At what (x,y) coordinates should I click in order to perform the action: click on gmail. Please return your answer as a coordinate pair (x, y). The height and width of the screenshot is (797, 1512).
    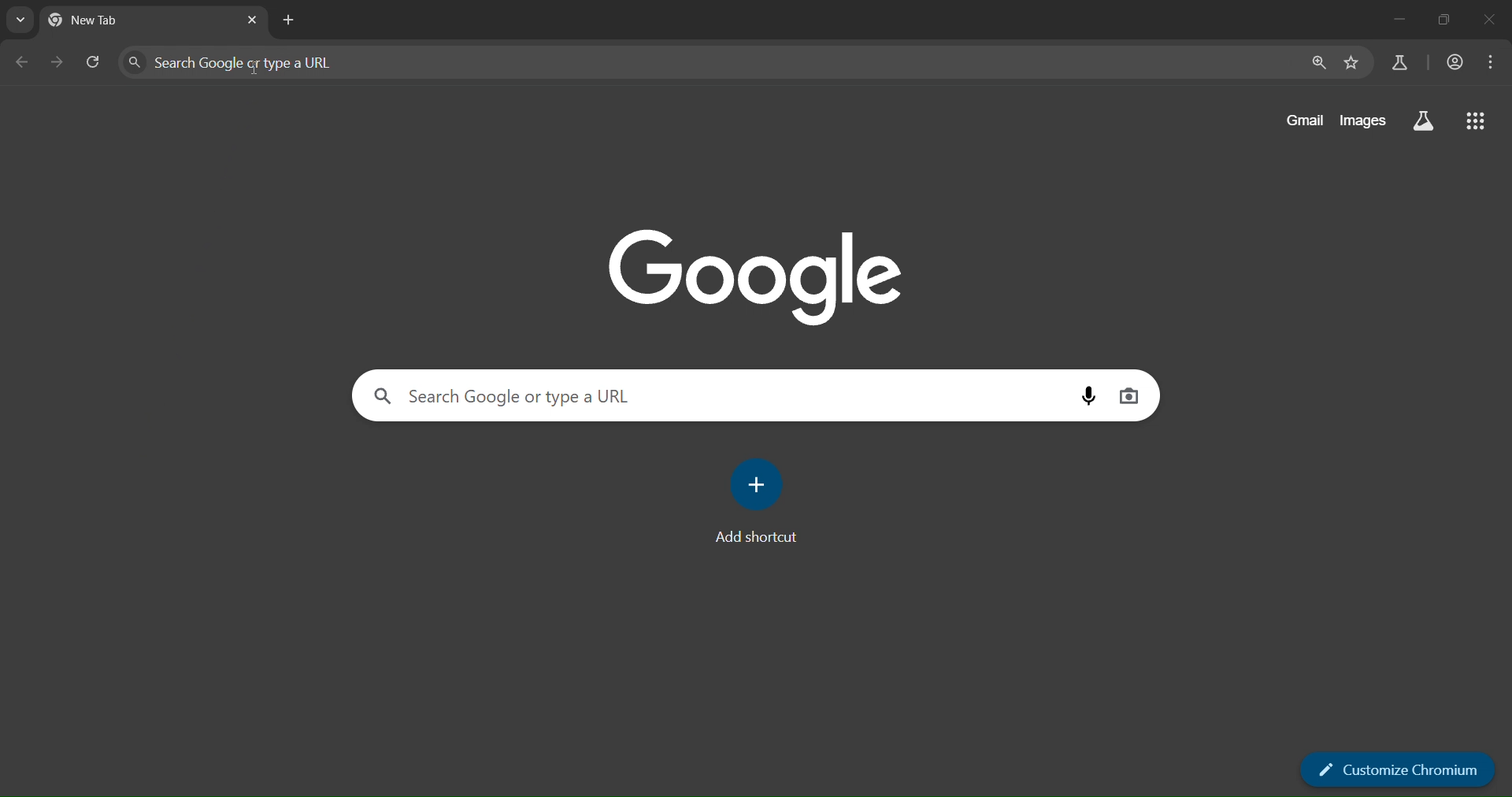
    Looking at the image, I should click on (1304, 120).